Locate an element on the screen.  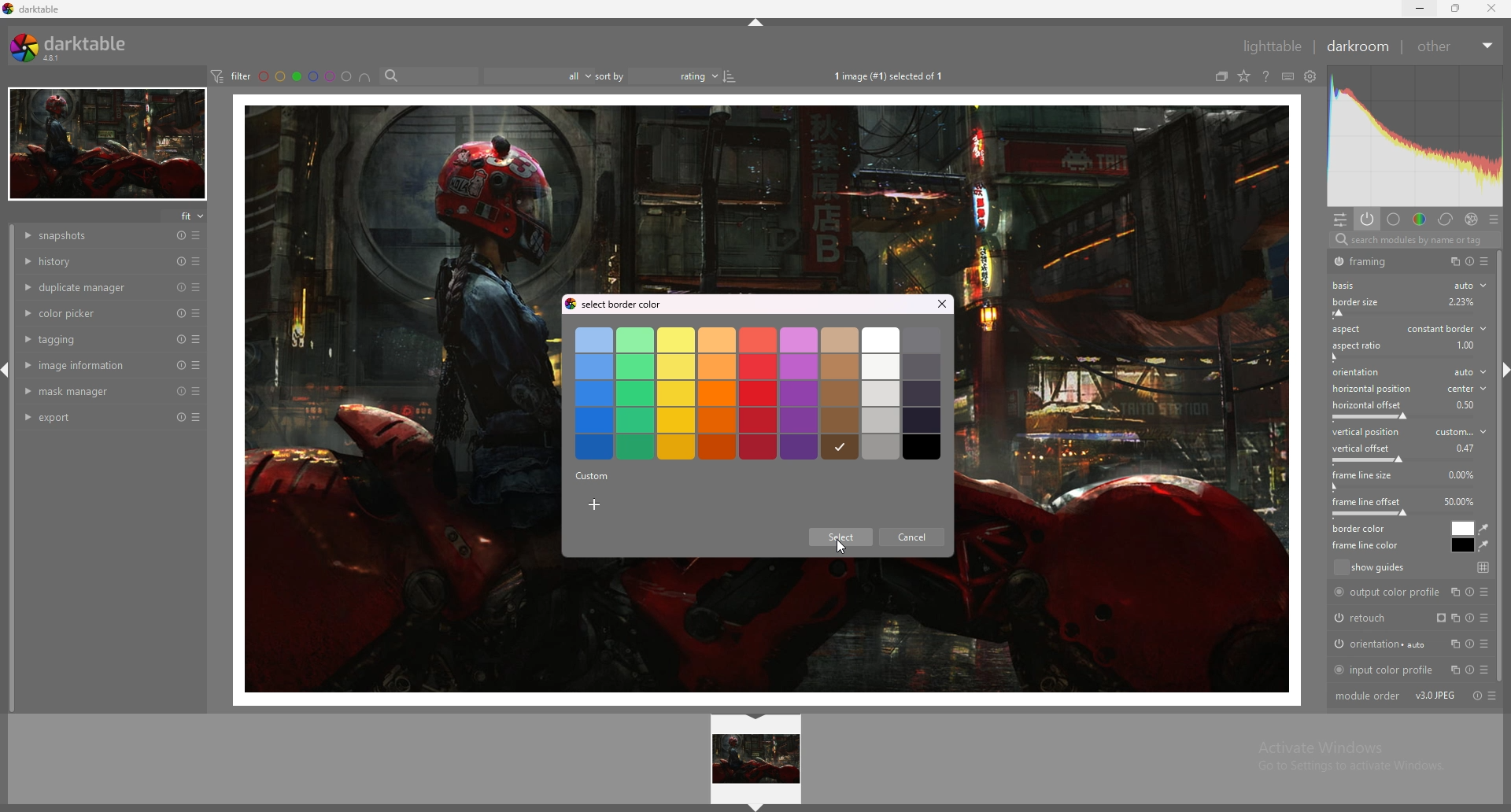
percentage is located at coordinates (1465, 343).